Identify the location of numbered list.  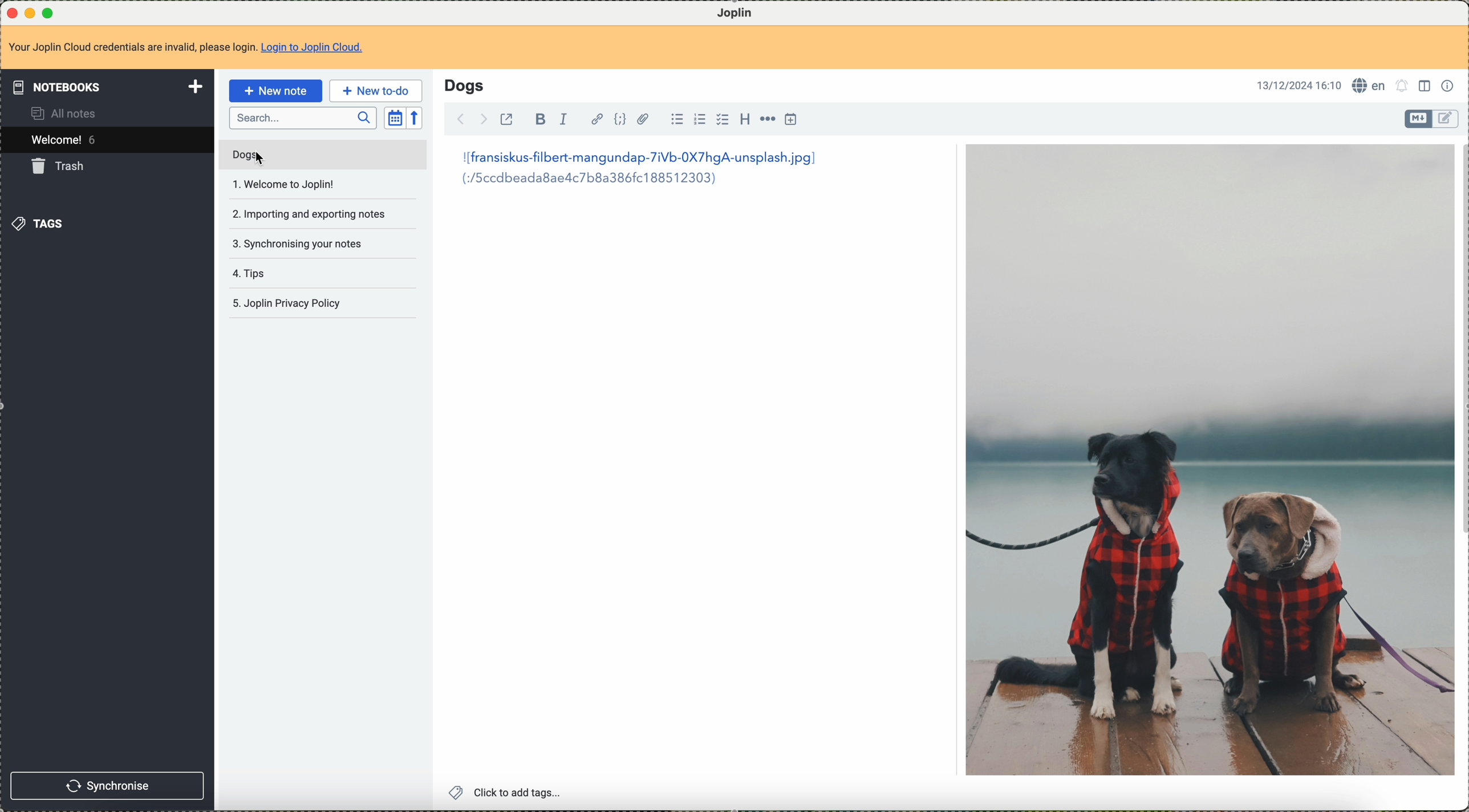
(699, 120).